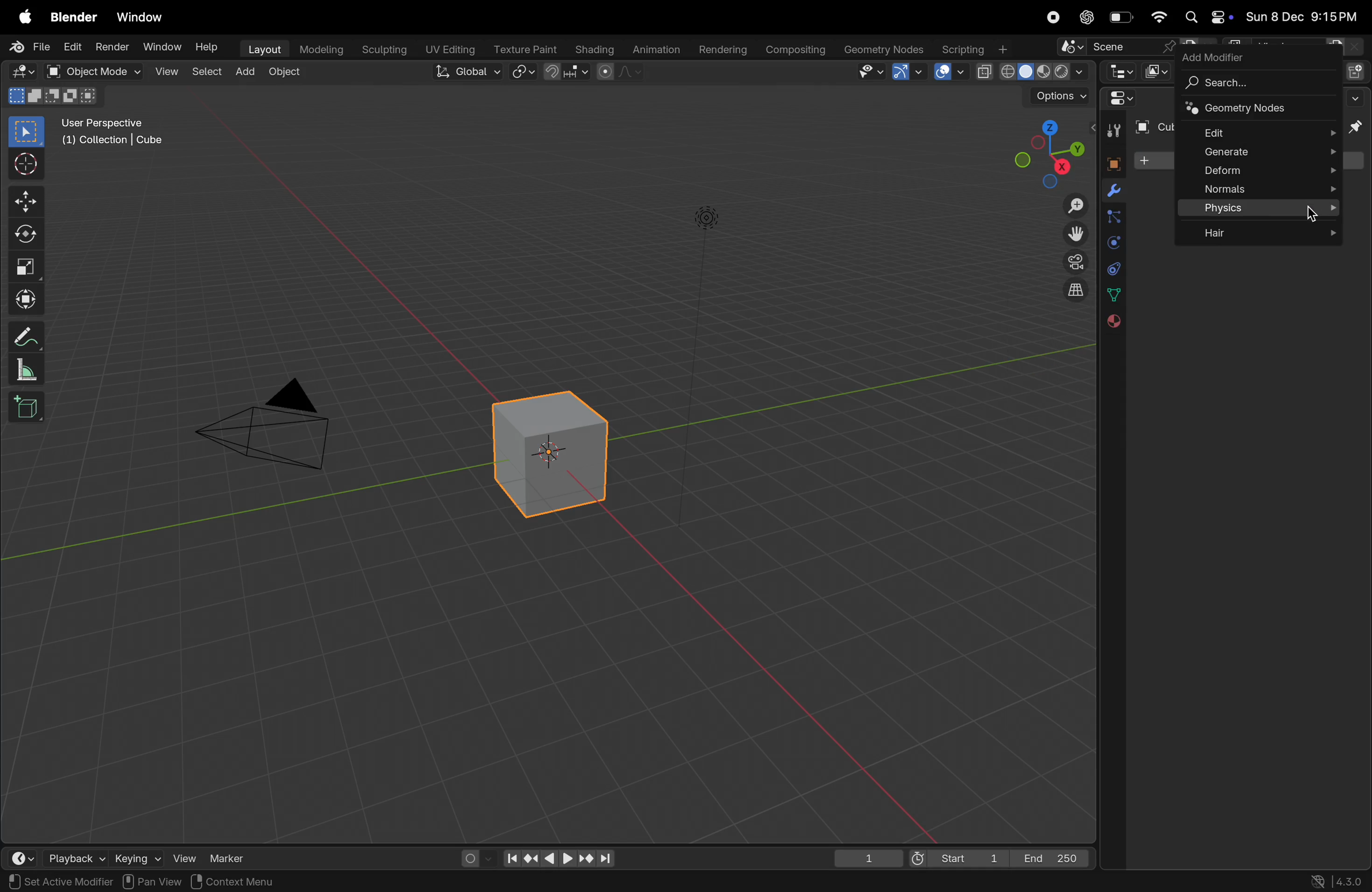 The image size is (1372, 892). What do you see at coordinates (26, 18) in the screenshot?
I see `apple menu` at bounding box center [26, 18].